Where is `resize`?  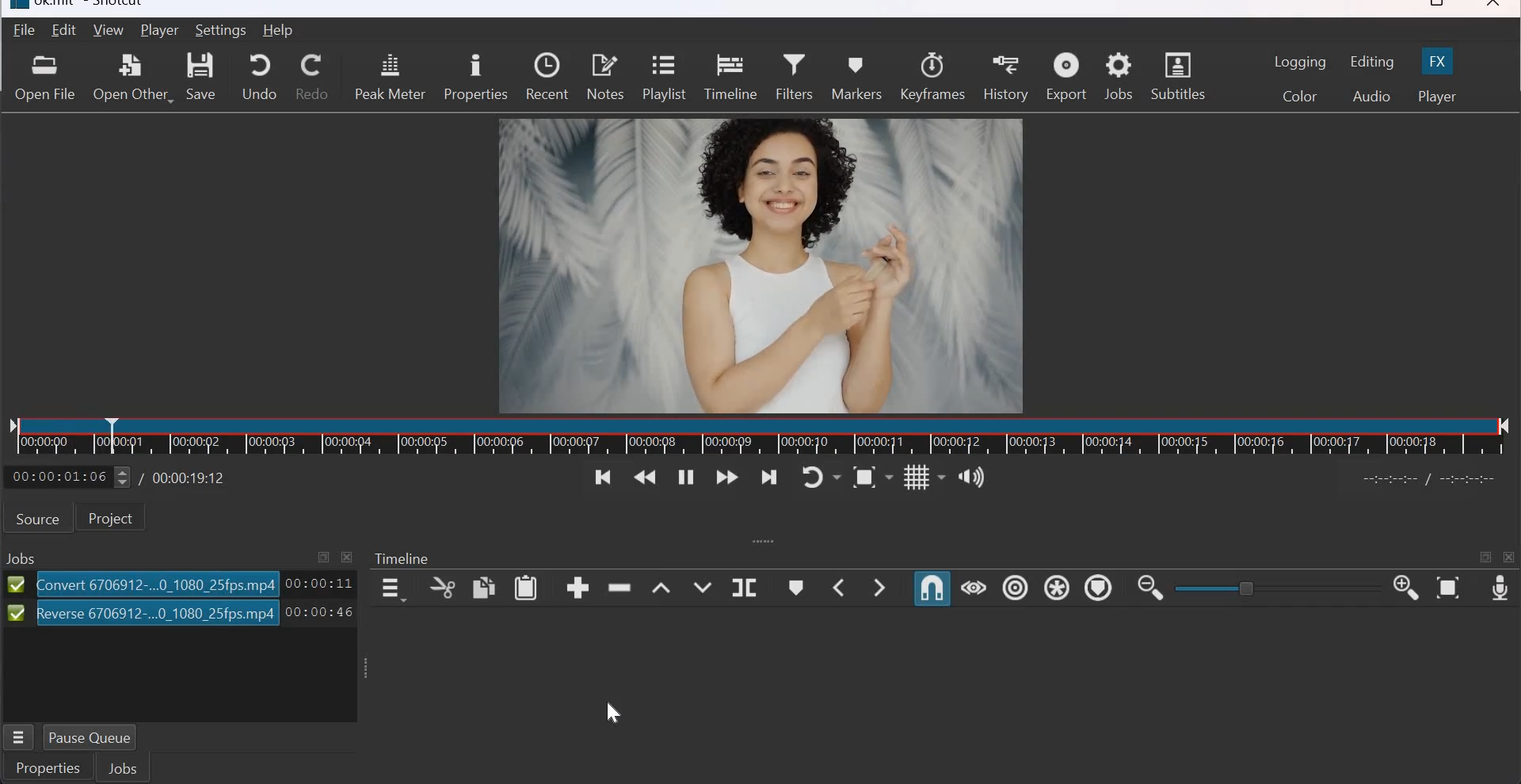 resize is located at coordinates (1434, 6).